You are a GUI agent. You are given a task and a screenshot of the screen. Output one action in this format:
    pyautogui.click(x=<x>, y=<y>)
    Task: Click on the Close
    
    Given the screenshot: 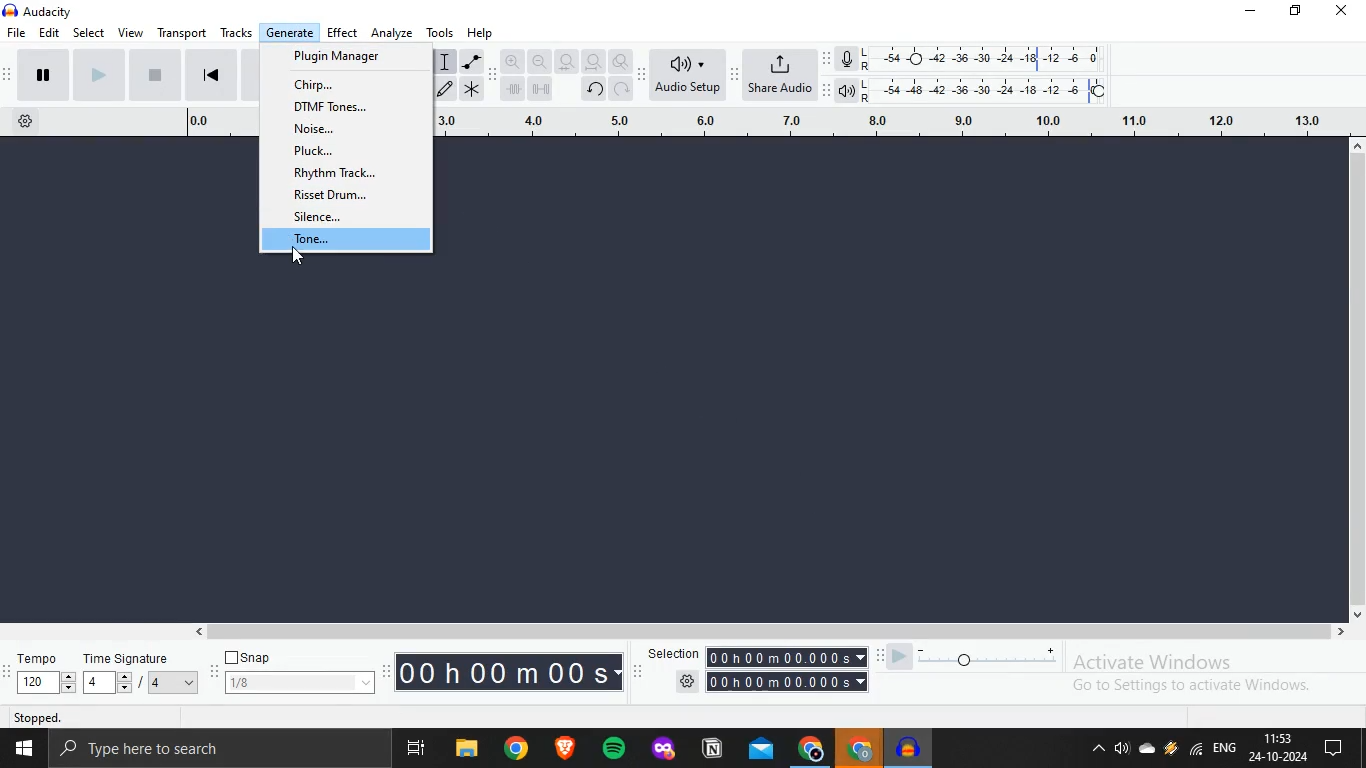 What is the action you would take?
    pyautogui.click(x=1348, y=16)
    